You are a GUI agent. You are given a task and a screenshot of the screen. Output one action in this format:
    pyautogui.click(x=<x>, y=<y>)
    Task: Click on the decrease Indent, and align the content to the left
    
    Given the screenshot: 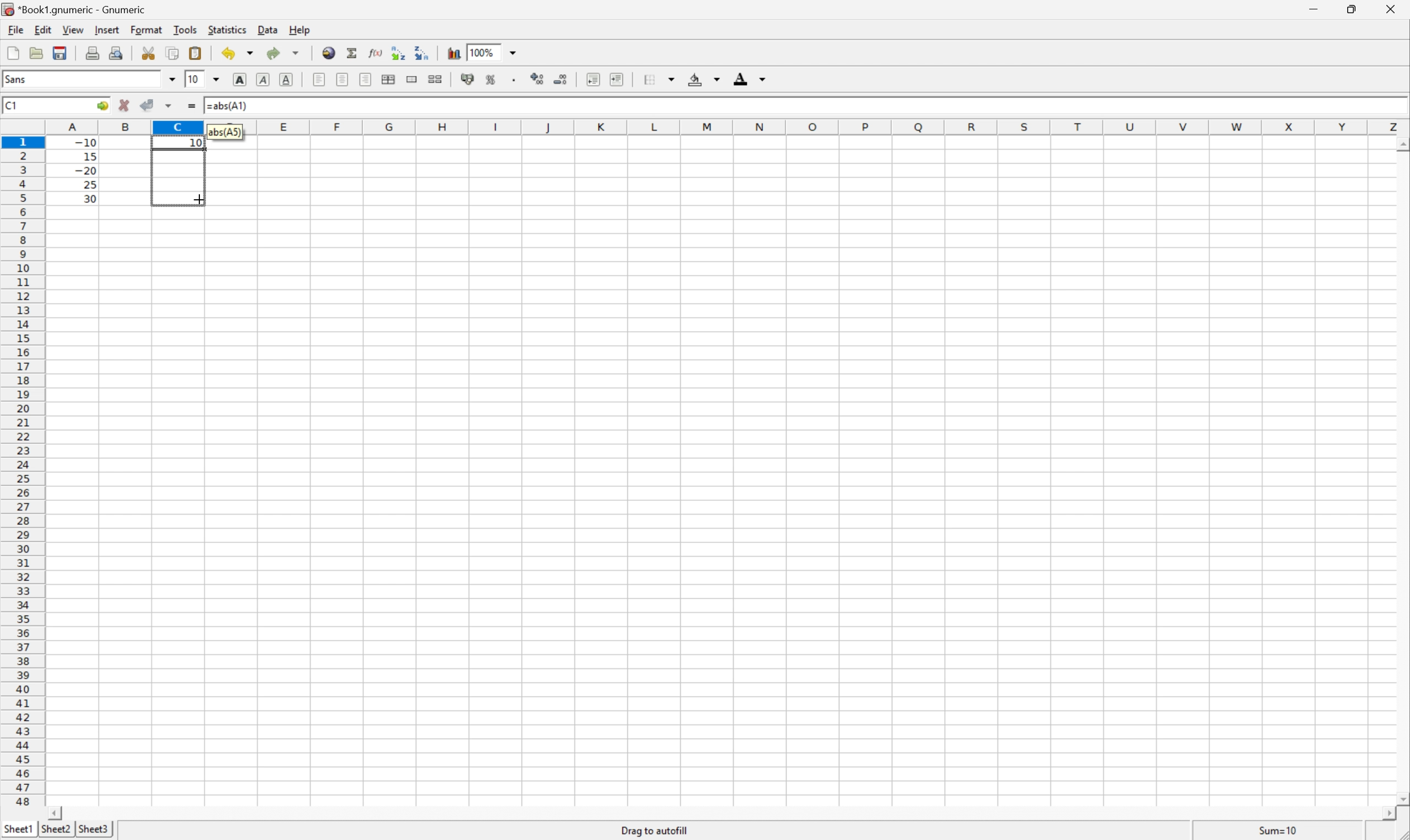 What is the action you would take?
    pyautogui.click(x=592, y=79)
    